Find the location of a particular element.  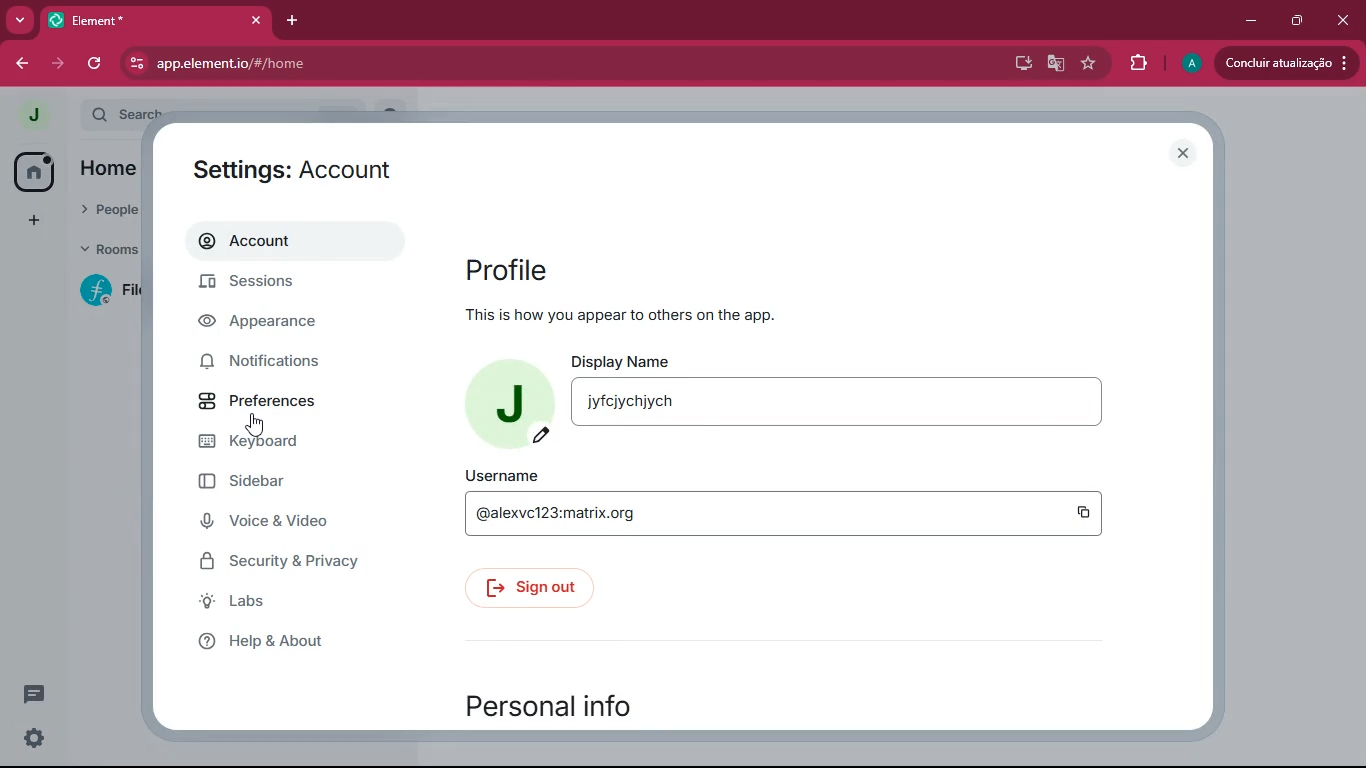

favourite is located at coordinates (1089, 64).